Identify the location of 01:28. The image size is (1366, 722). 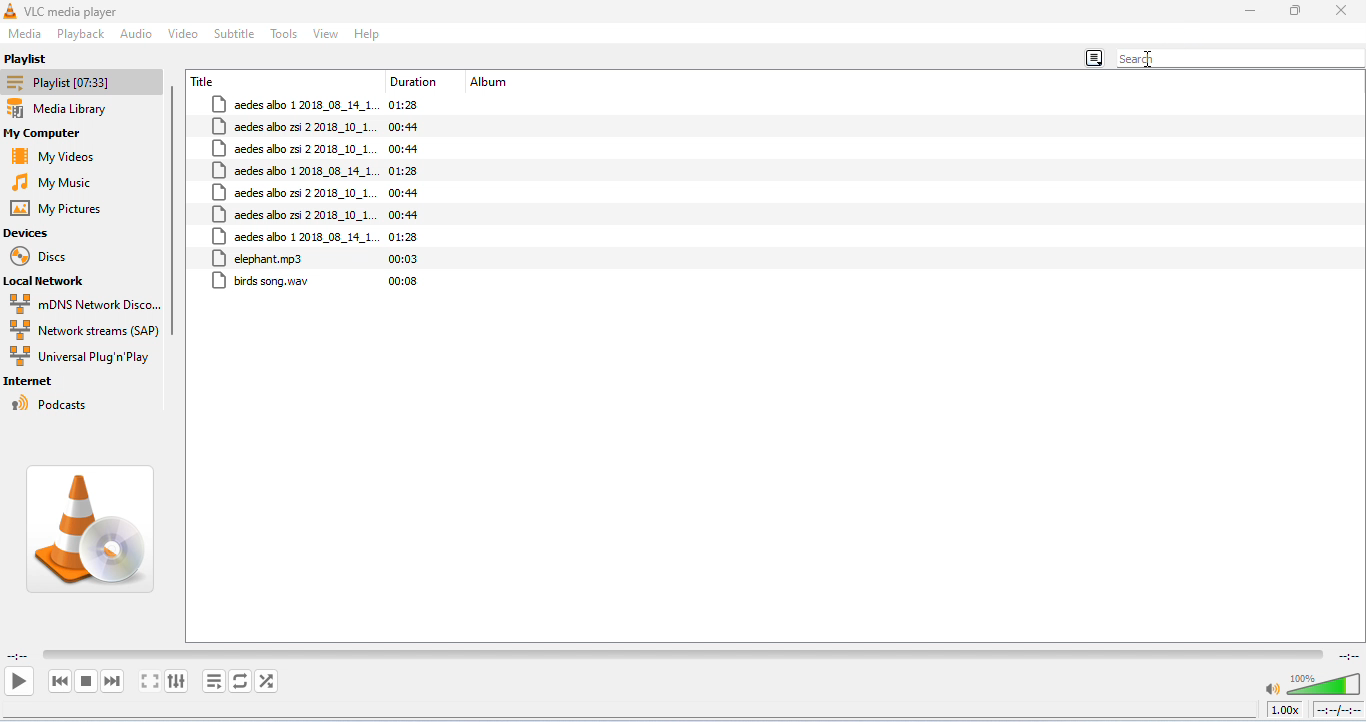
(410, 105).